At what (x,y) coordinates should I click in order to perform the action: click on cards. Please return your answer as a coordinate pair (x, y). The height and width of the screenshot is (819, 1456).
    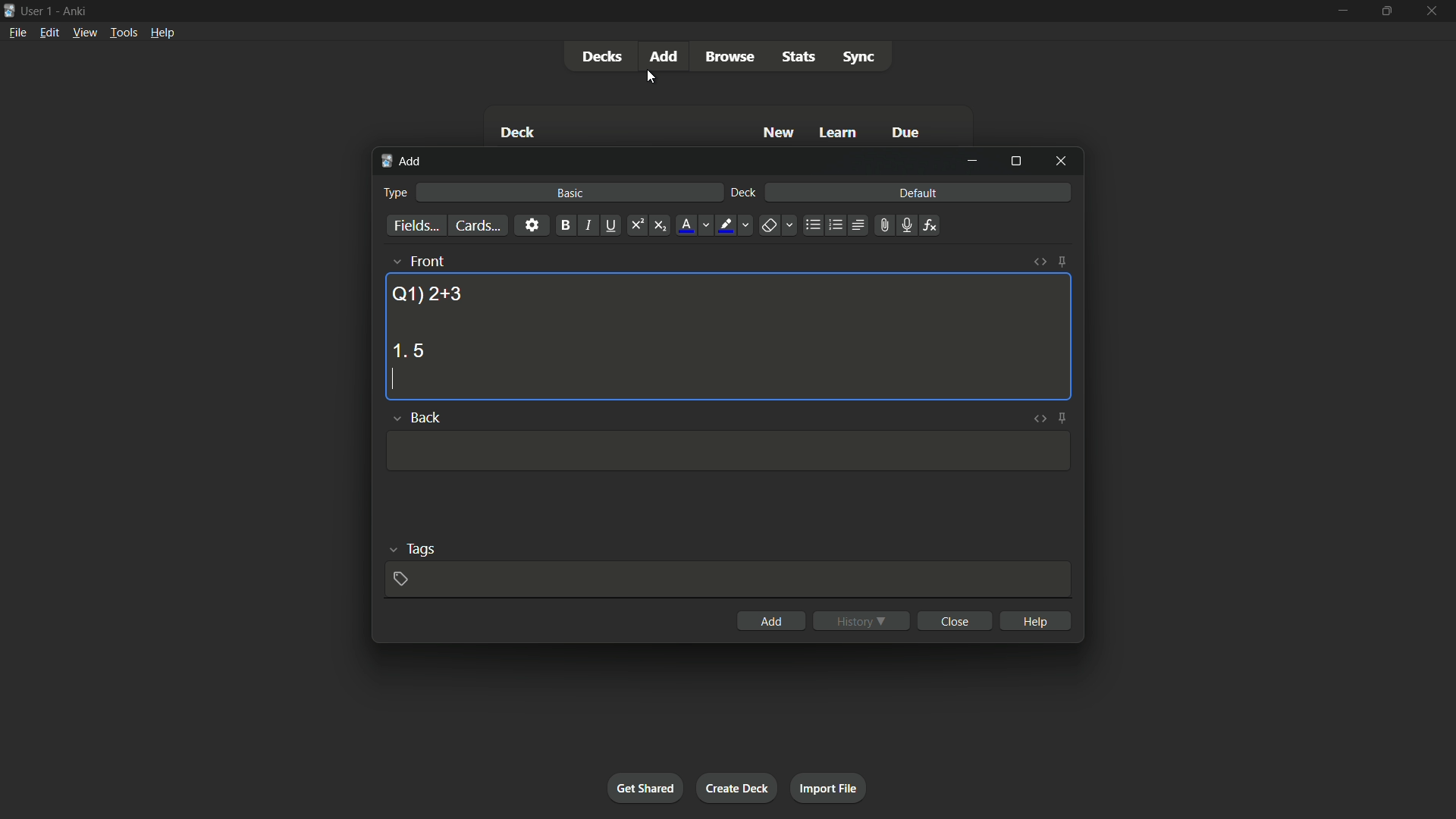
    Looking at the image, I should click on (477, 226).